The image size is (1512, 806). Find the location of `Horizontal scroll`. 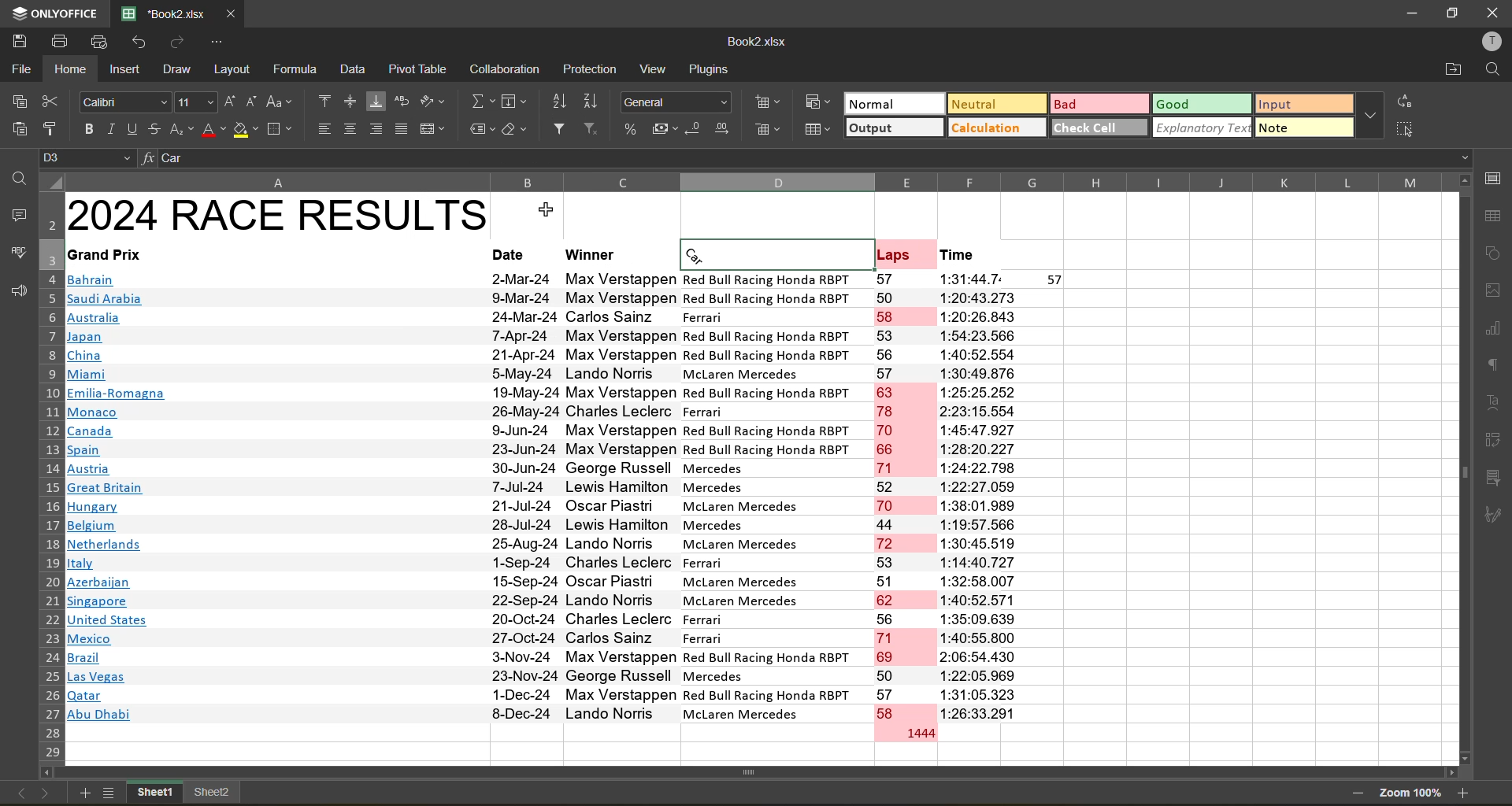

Horizontal scroll is located at coordinates (755, 771).